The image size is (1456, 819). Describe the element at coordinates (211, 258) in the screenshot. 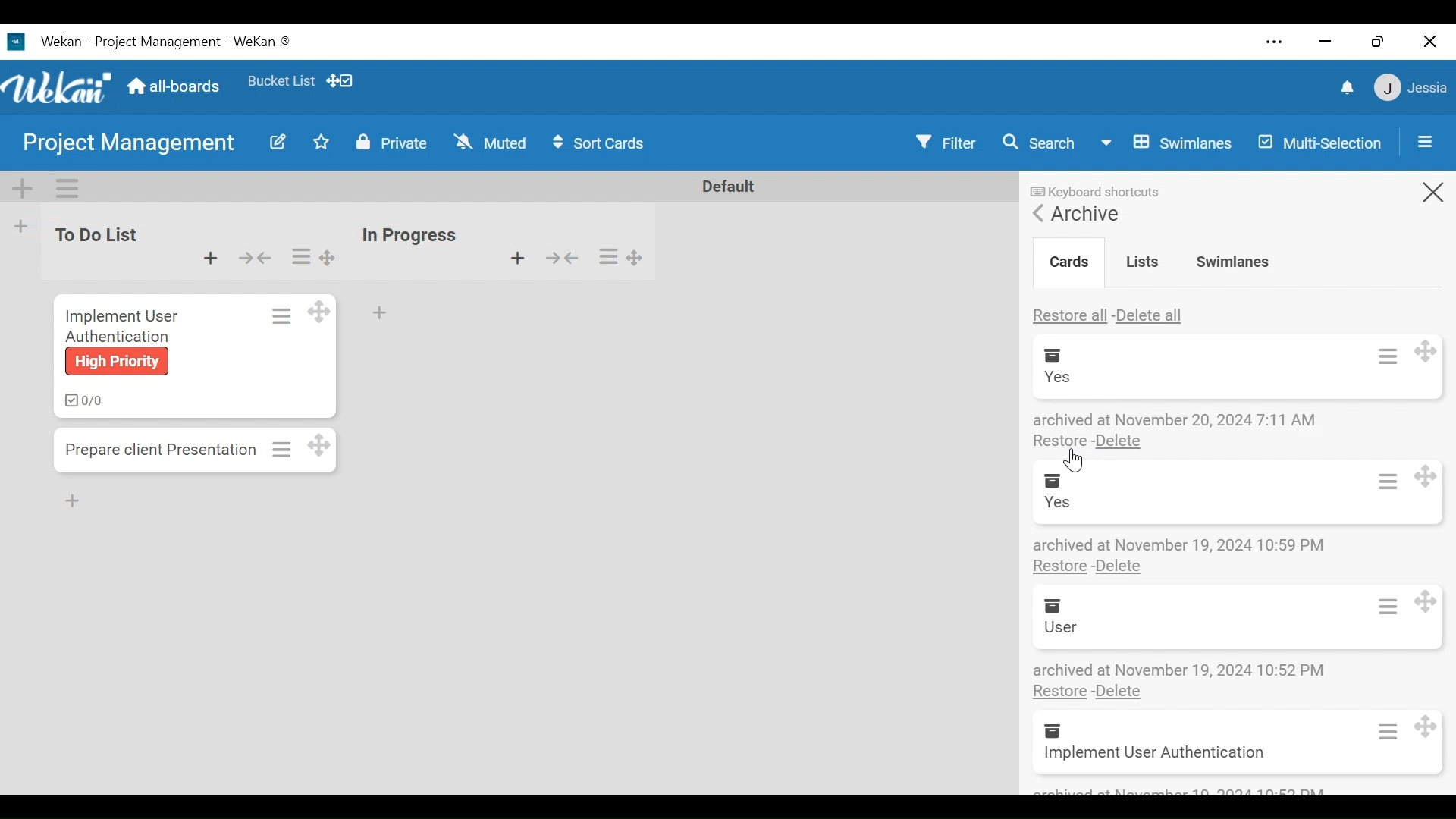

I see `Add Card to top of the list` at that location.